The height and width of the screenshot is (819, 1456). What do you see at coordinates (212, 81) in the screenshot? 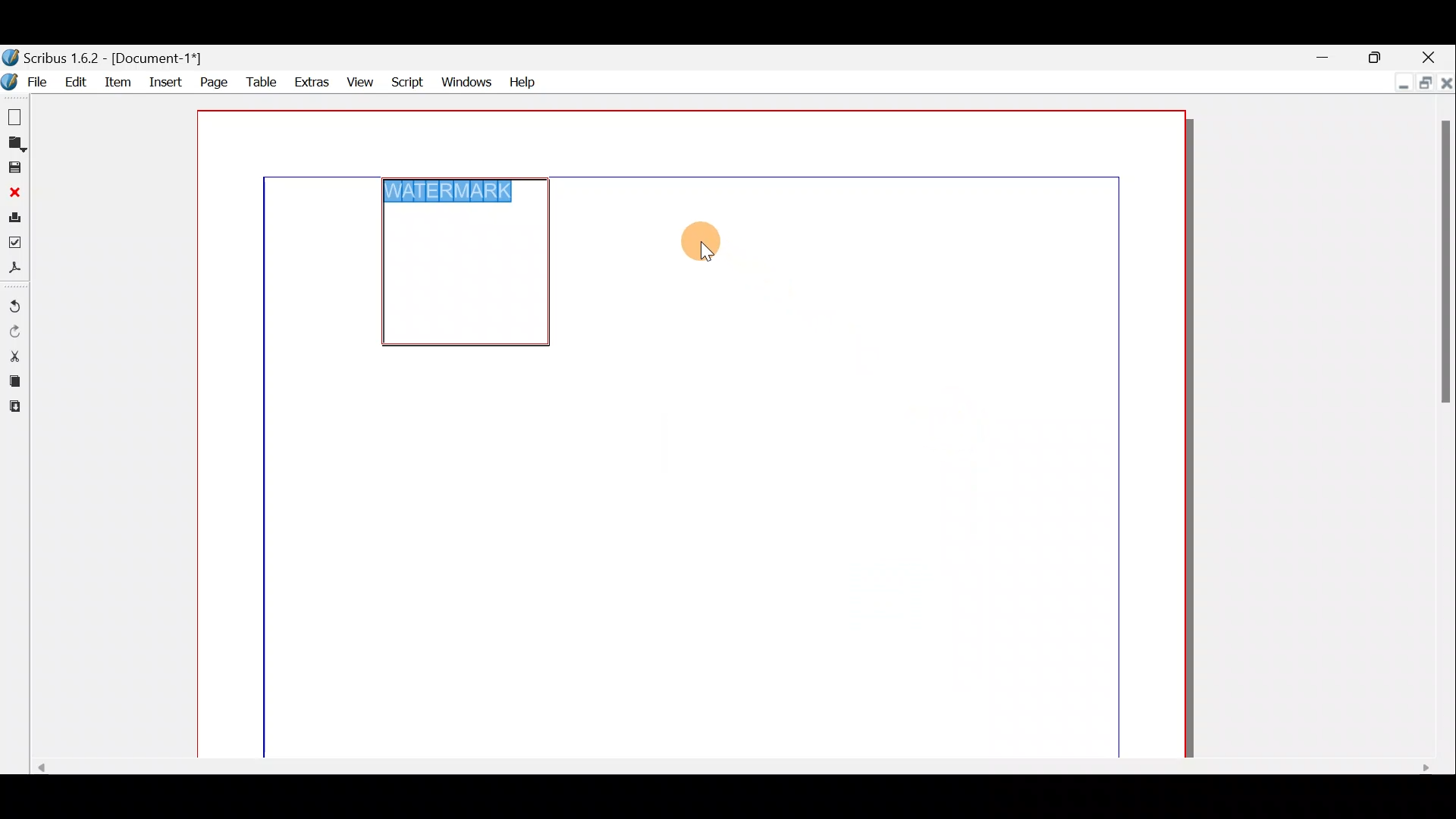
I see `Page` at bounding box center [212, 81].